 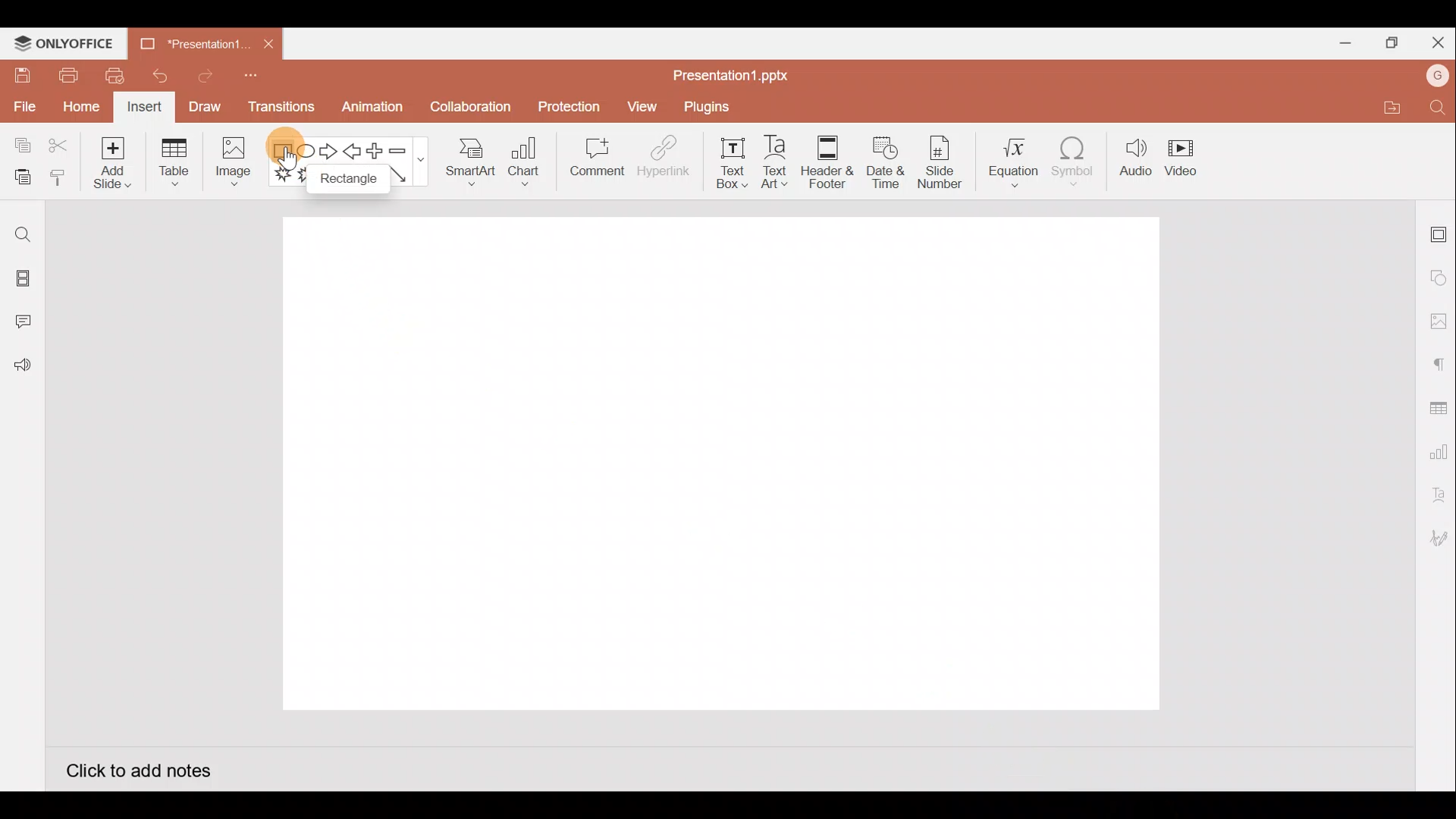 What do you see at coordinates (711, 105) in the screenshot?
I see `Plugins` at bounding box center [711, 105].